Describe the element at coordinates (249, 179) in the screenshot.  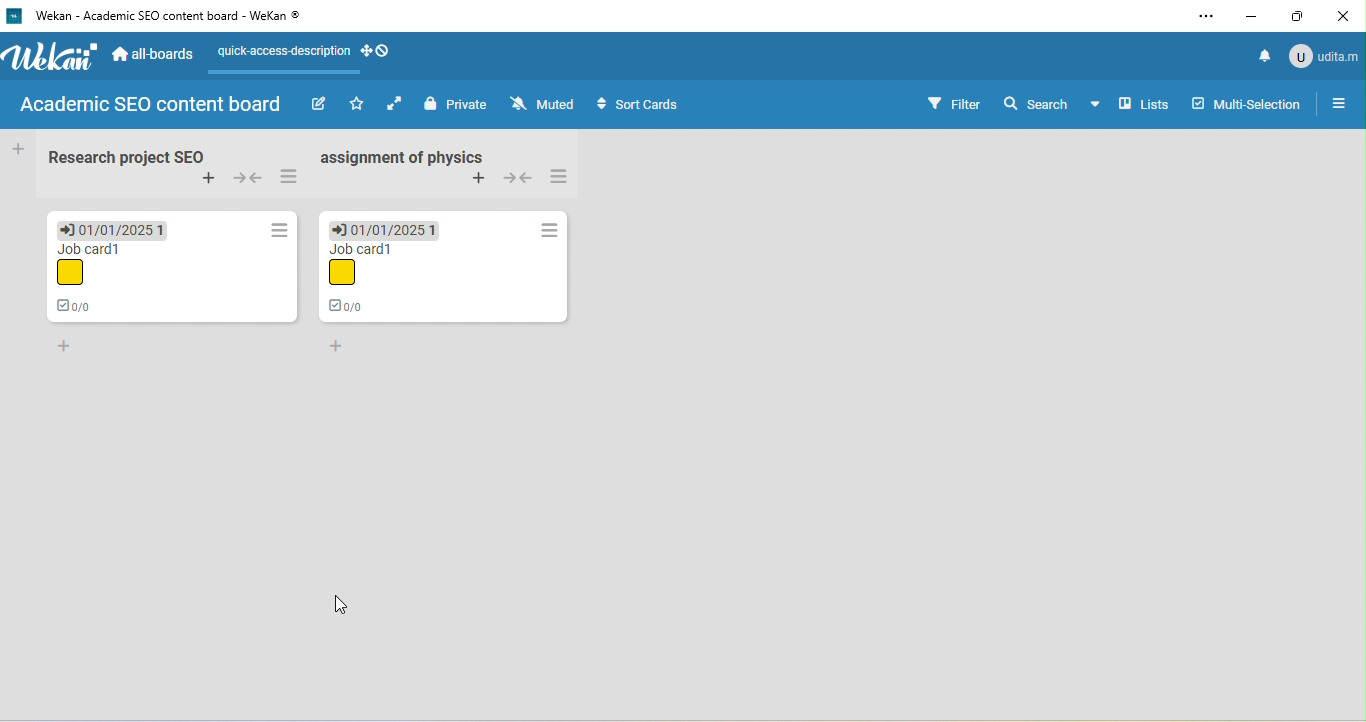
I see `collapse` at that location.